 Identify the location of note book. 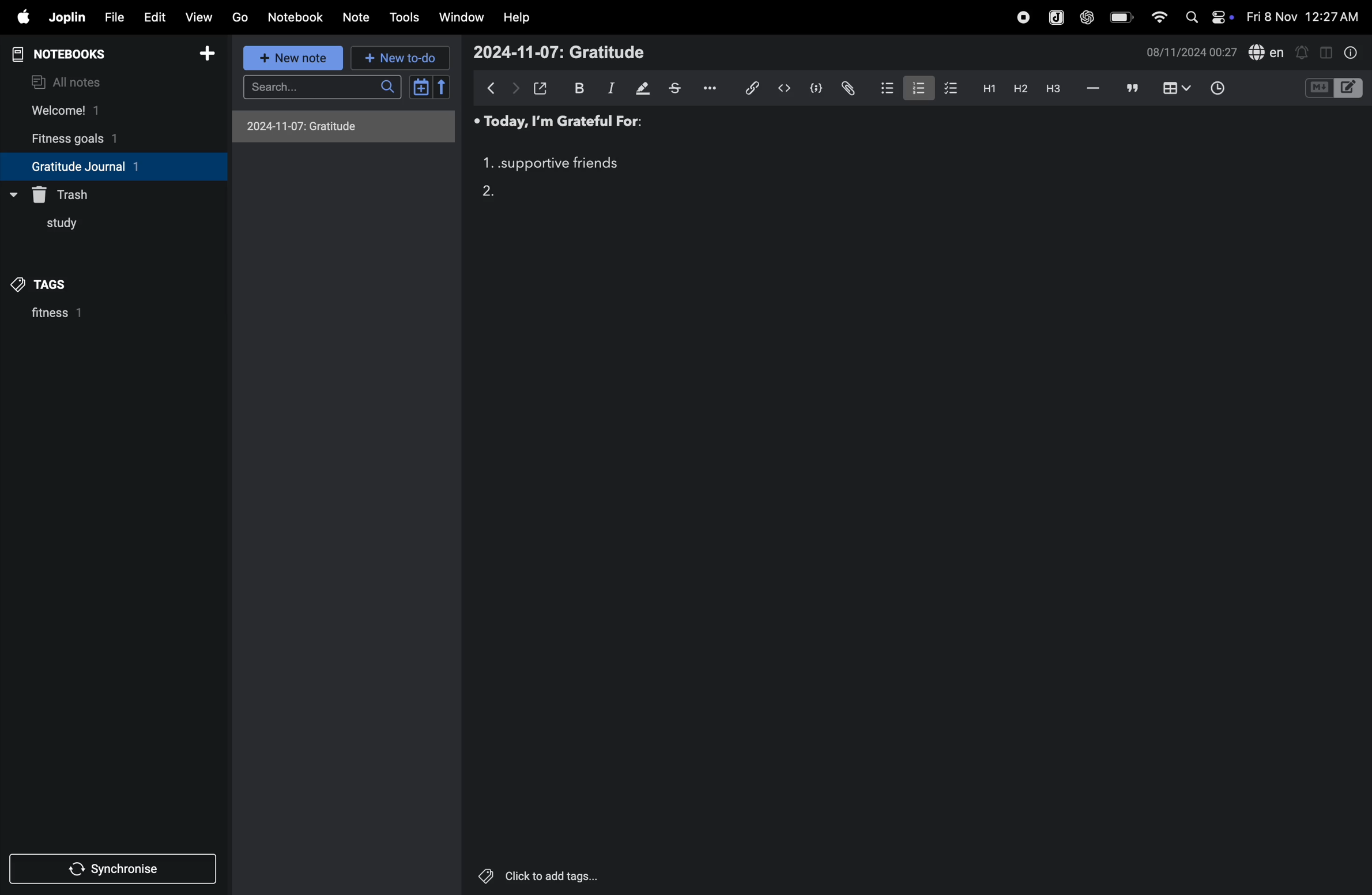
(80, 54).